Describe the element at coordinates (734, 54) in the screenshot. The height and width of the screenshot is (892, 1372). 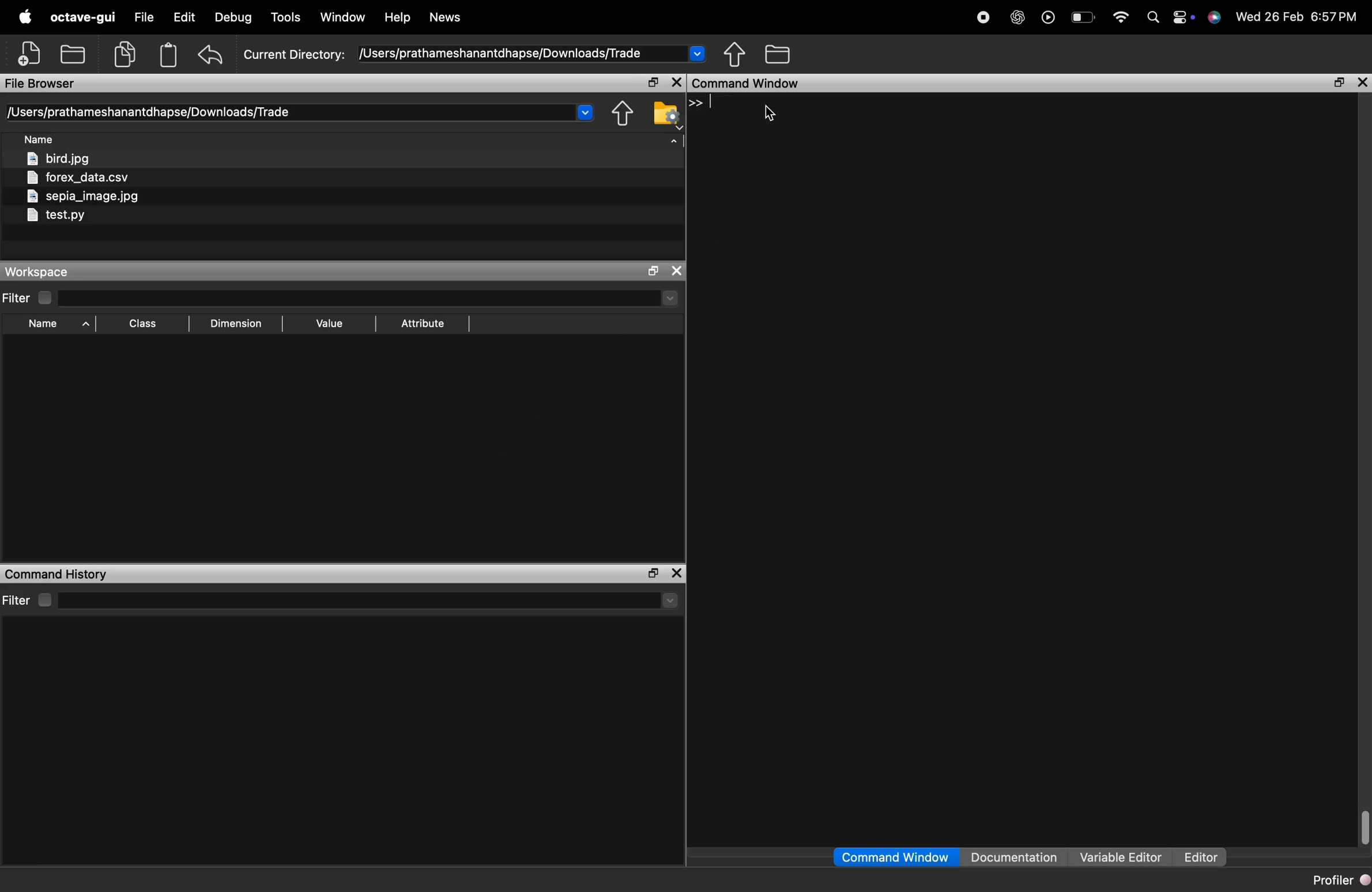
I see `one directory up` at that location.